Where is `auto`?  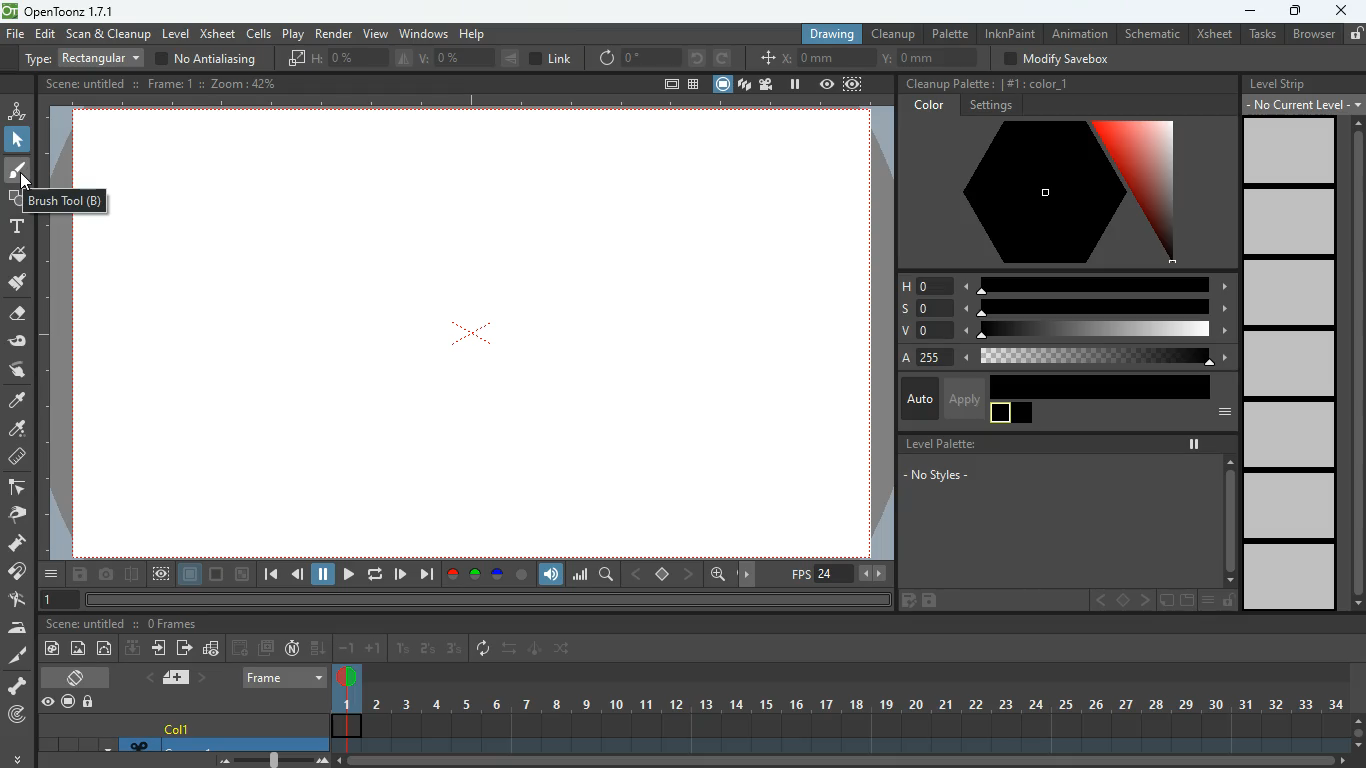
auto is located at coordinates (917, 400).